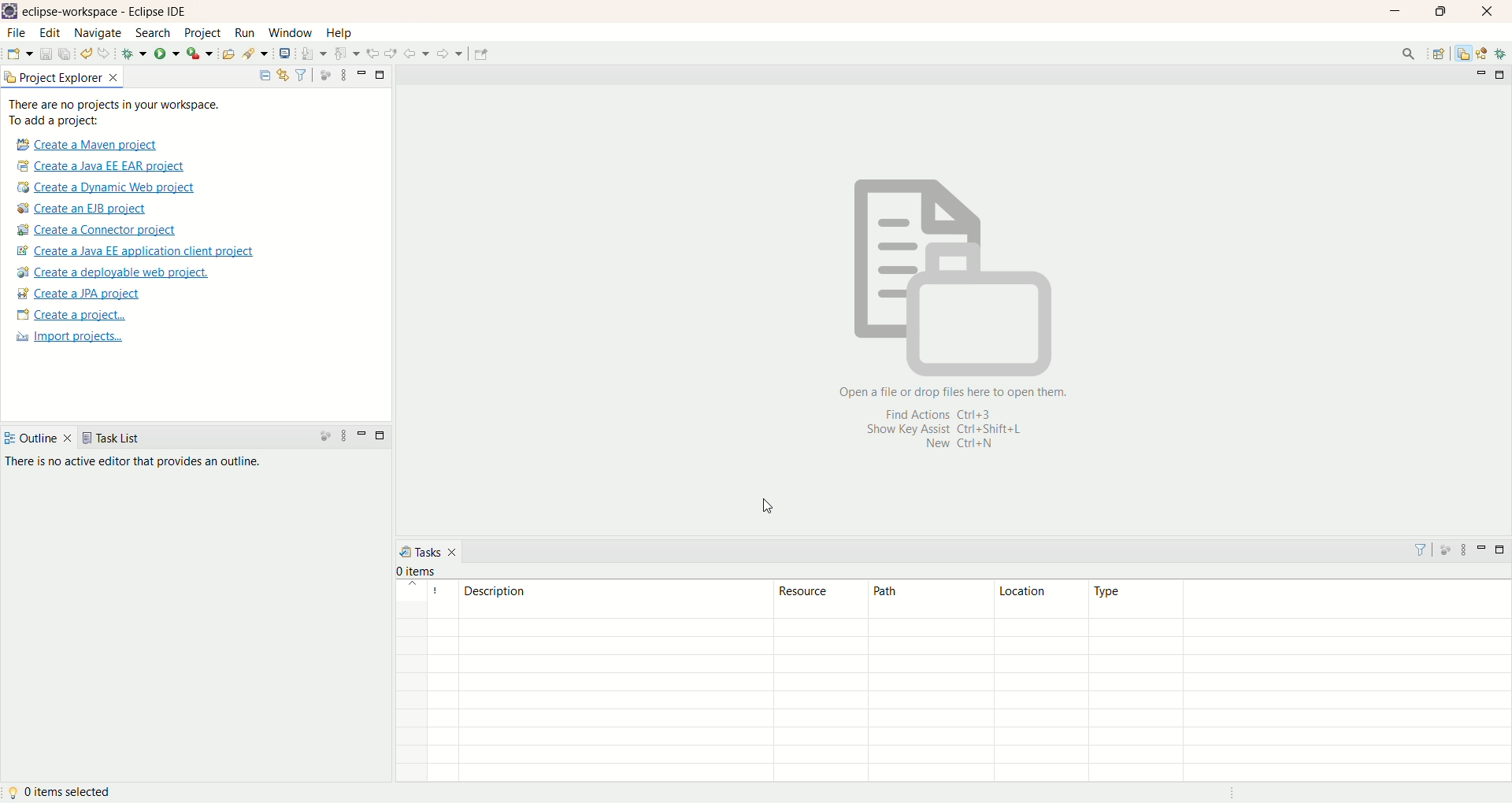  I want to click on pin editor, so click(484, 55).